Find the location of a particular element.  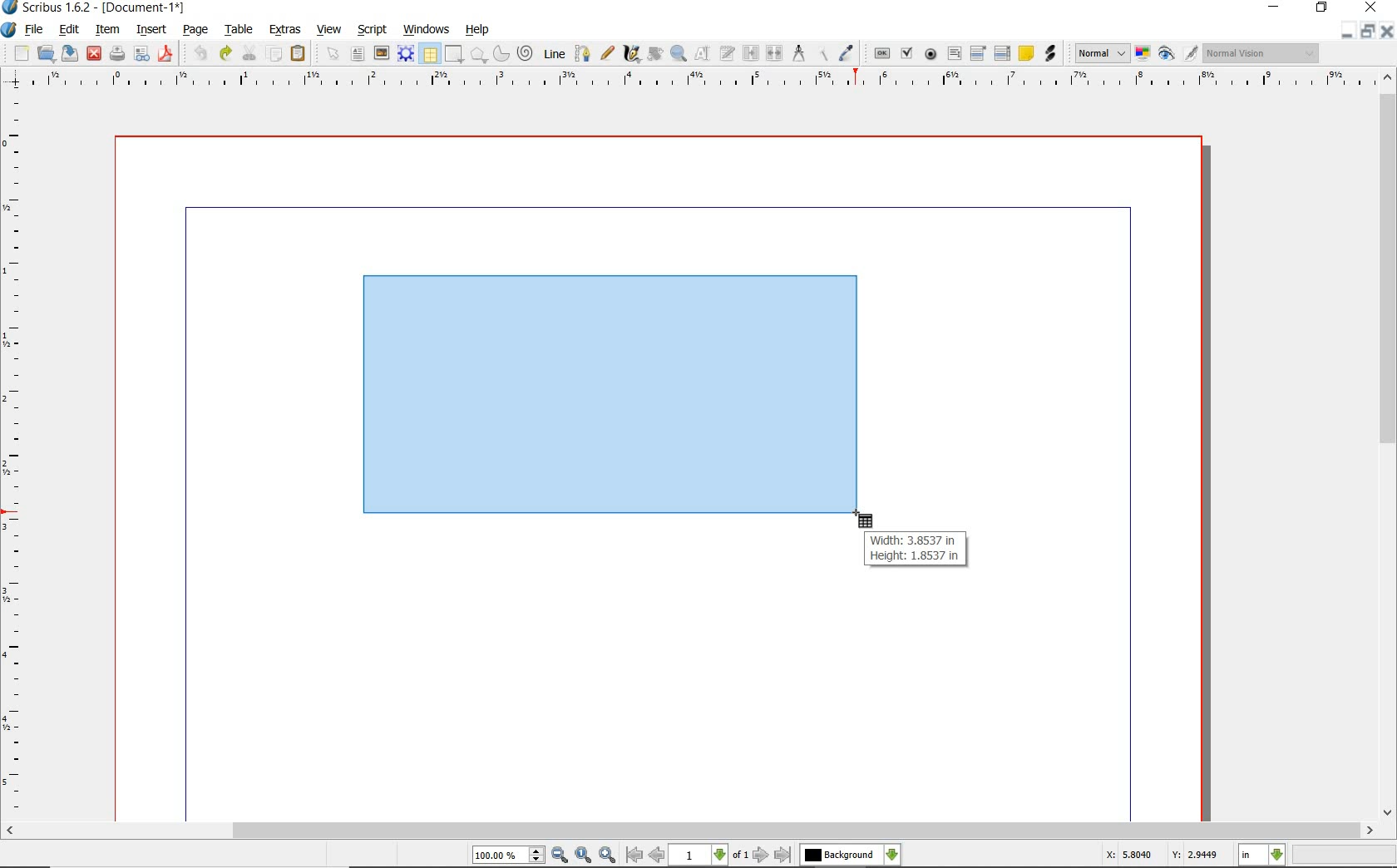

view  is located at coordinates (332, 30).